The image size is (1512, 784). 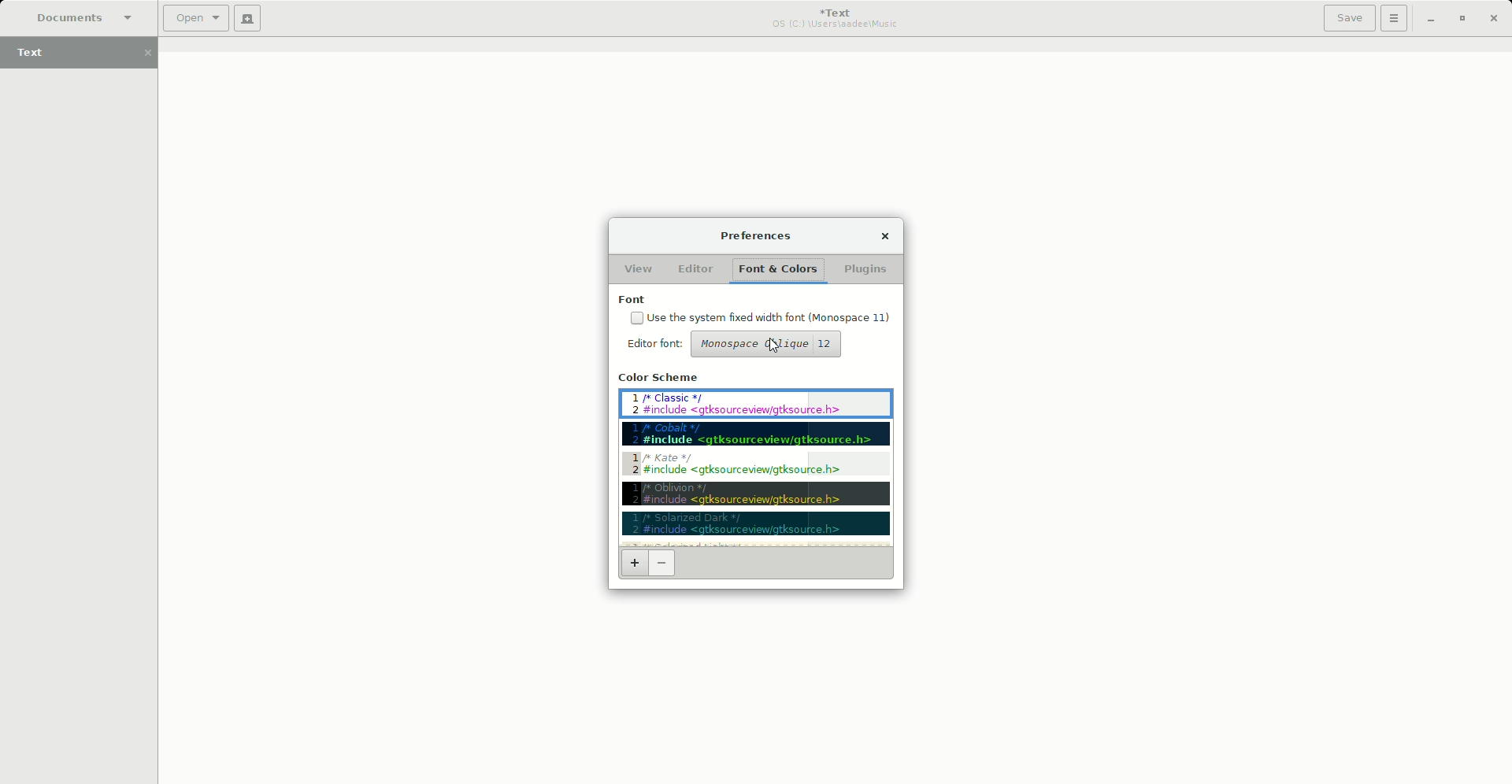 What do you see at coordinates (695, 269) in the screenshot?
I see `Editor` at bounding box center [695, 269].